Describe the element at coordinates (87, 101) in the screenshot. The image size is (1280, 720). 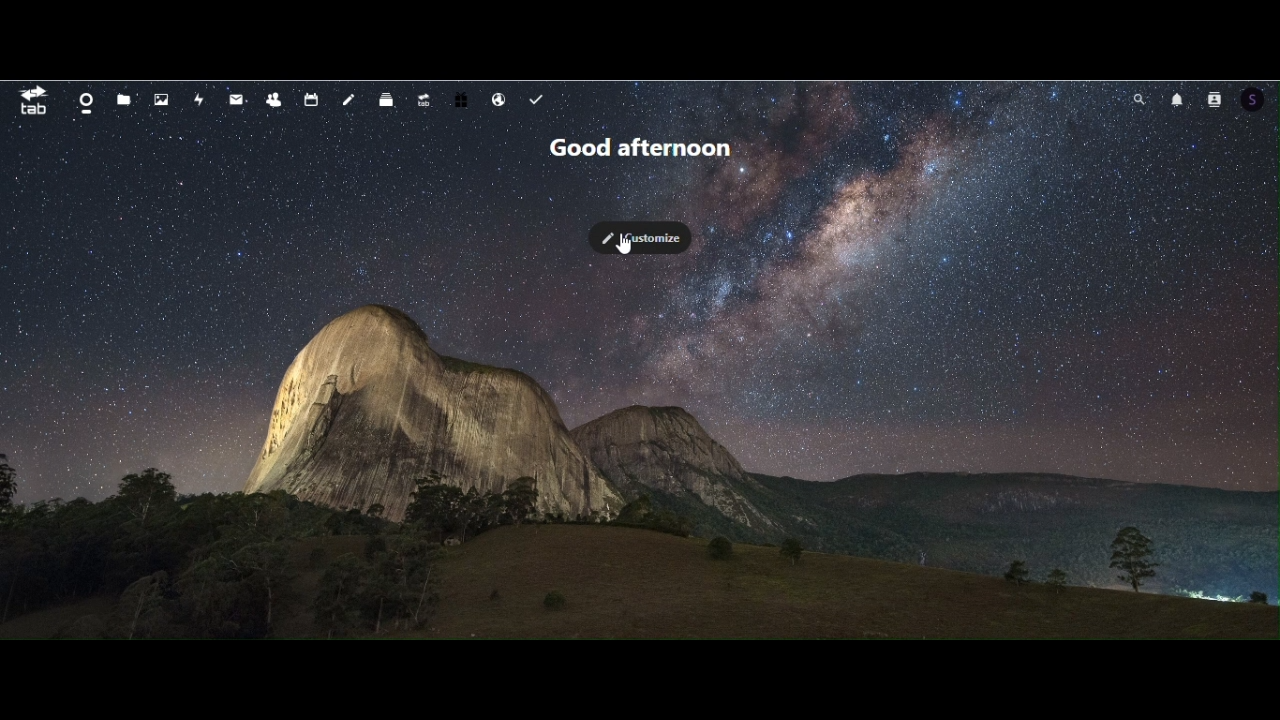
I see `dashboard` at that location.